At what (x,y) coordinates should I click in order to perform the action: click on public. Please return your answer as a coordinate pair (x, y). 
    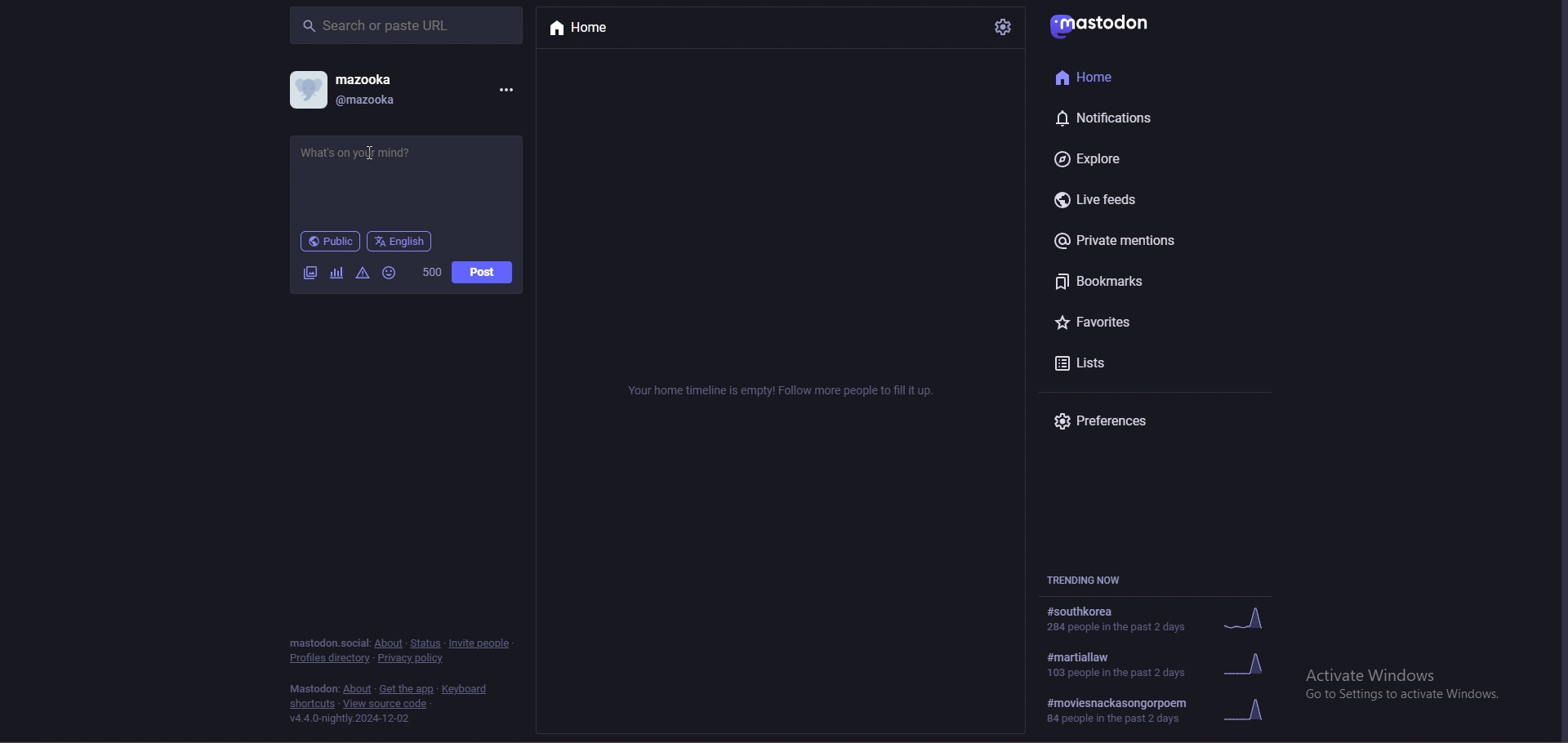
    Looking at the image, I should click on (328, 242).